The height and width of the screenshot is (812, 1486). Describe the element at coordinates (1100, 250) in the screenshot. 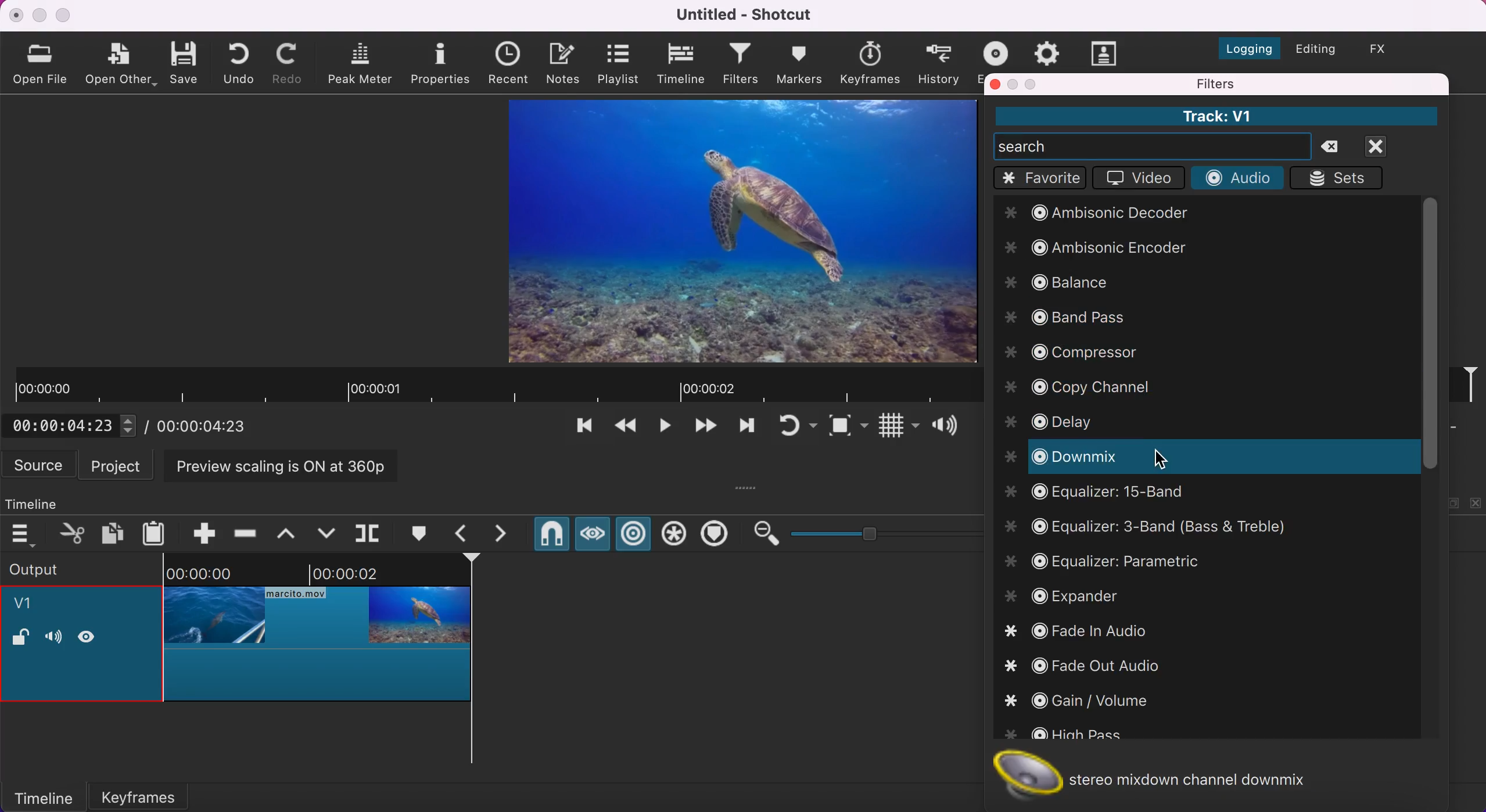

I see `ambisonic encoder` at that location.